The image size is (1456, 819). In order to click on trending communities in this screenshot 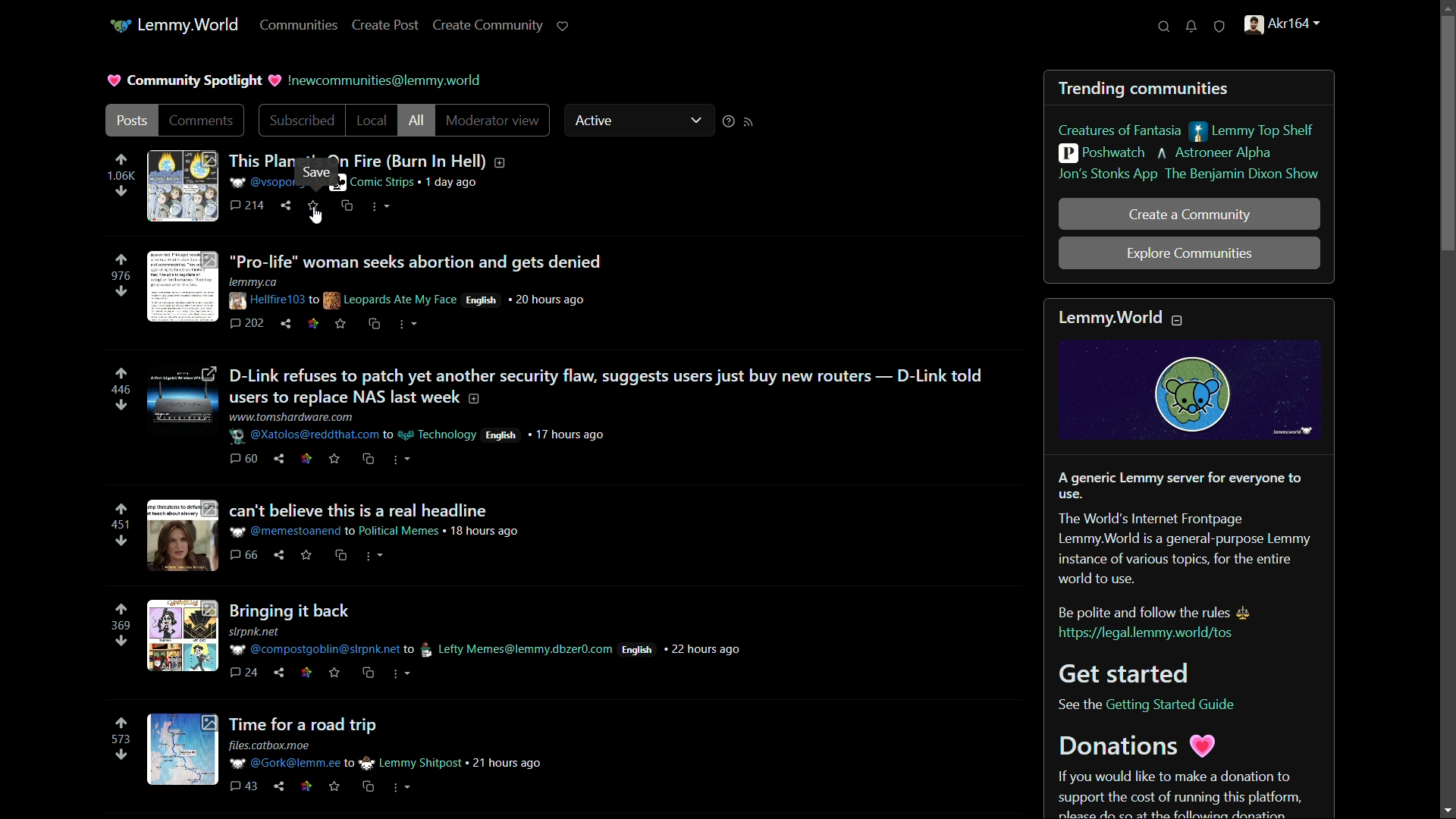, I will do `click(1145, 88)`.